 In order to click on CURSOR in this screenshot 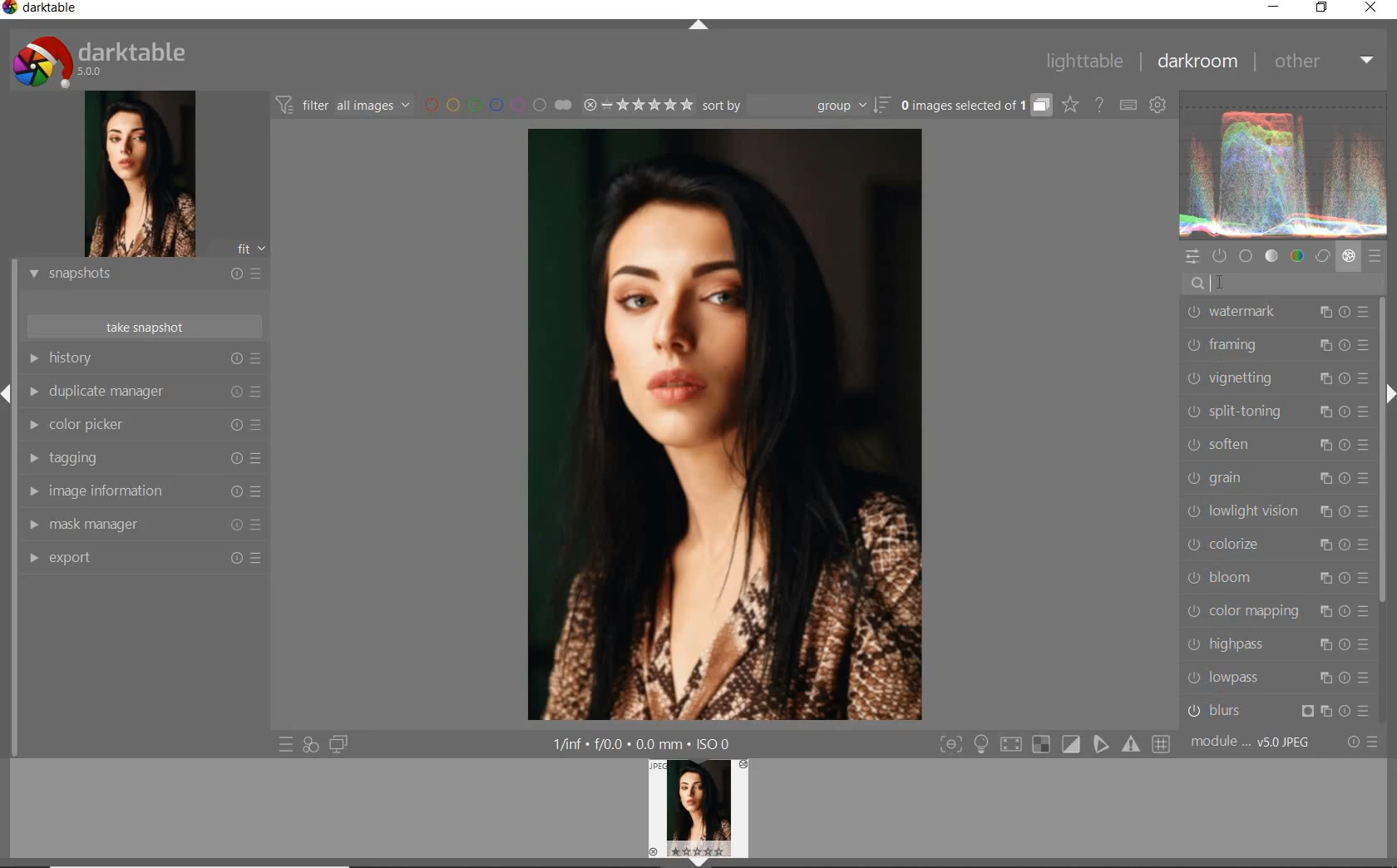, I will do `click(1223, 286)`.